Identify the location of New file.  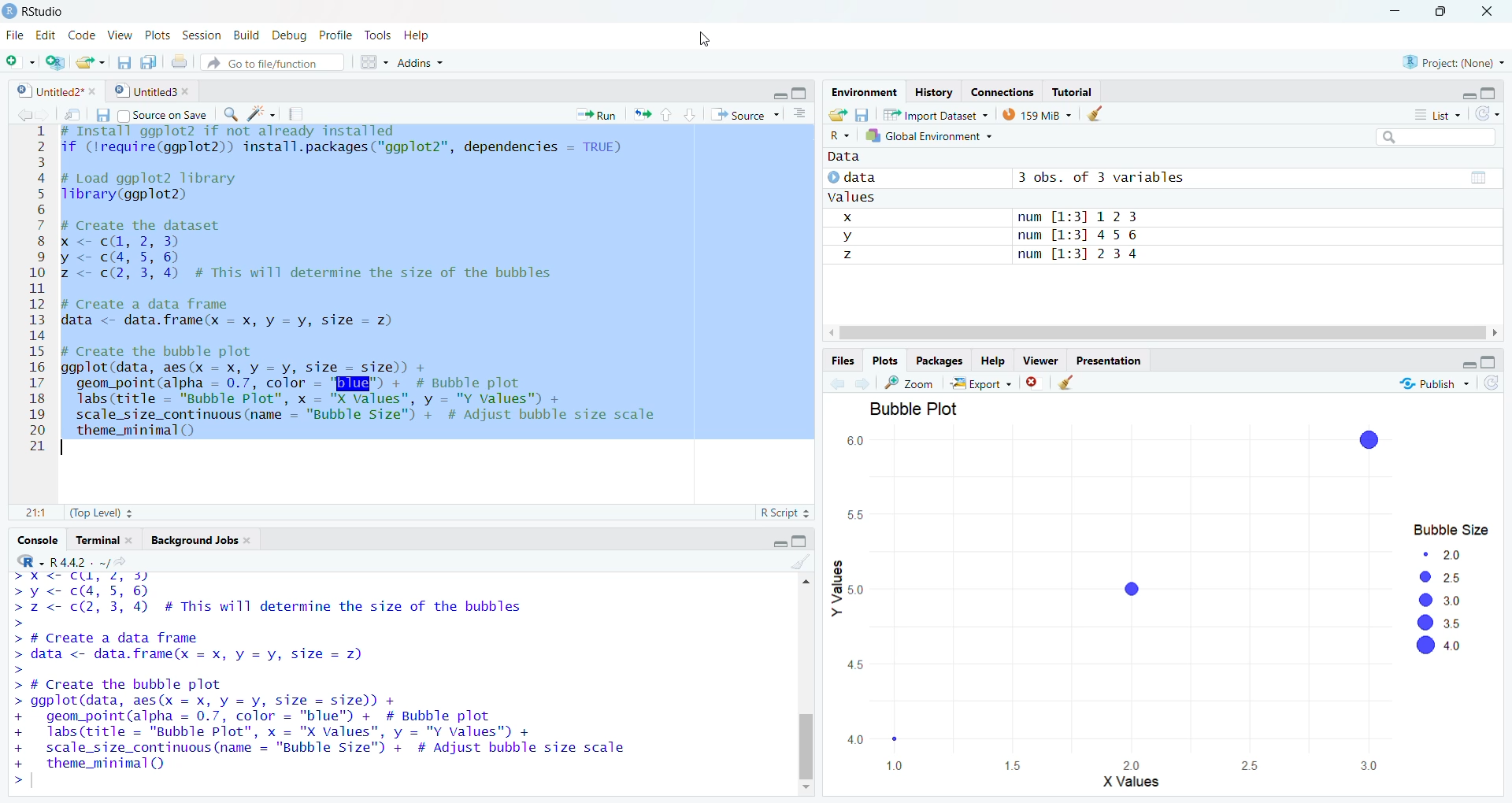
(92, 60).